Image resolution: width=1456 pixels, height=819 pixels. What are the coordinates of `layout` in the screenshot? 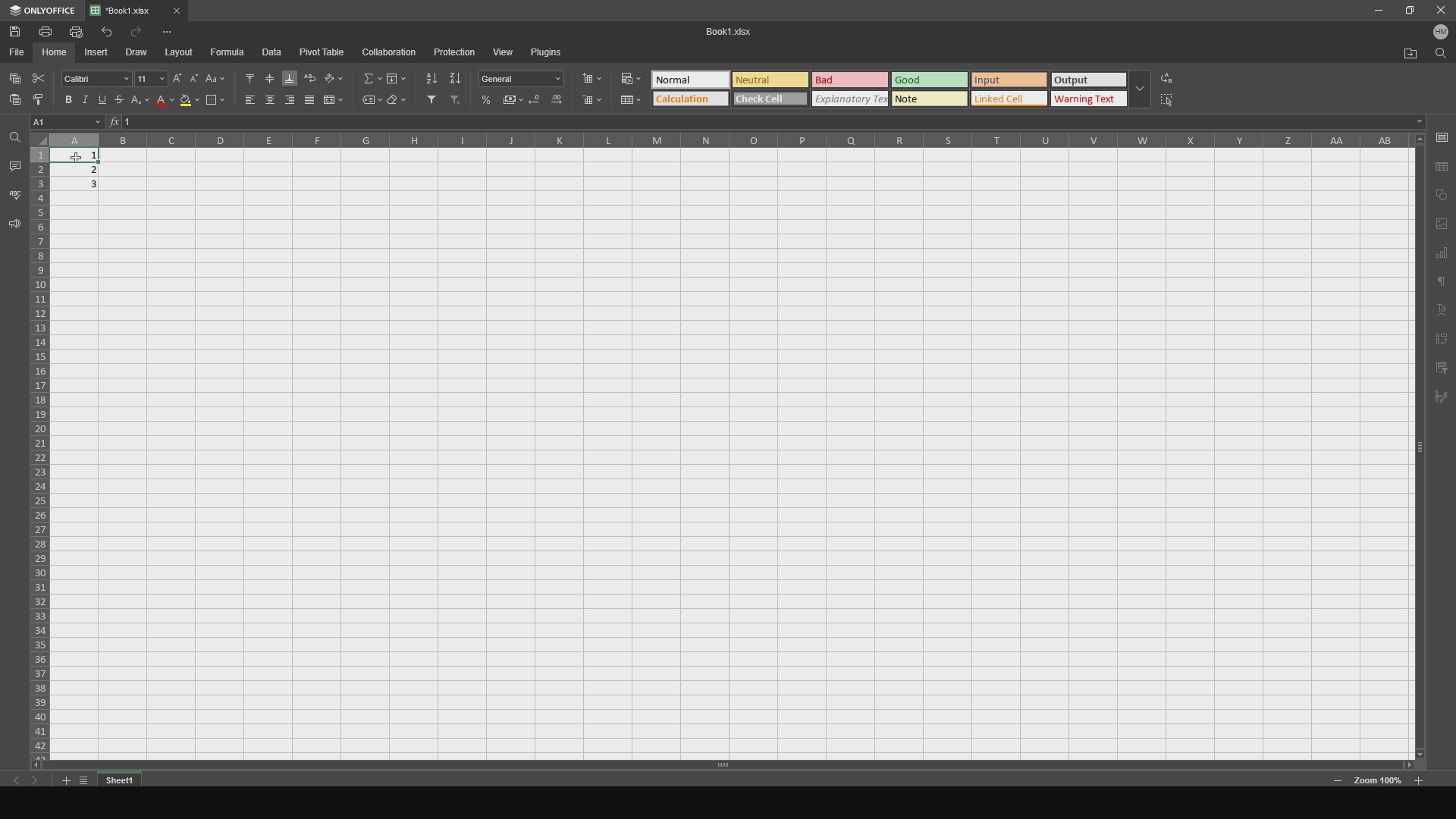 It's located at (181, 52).